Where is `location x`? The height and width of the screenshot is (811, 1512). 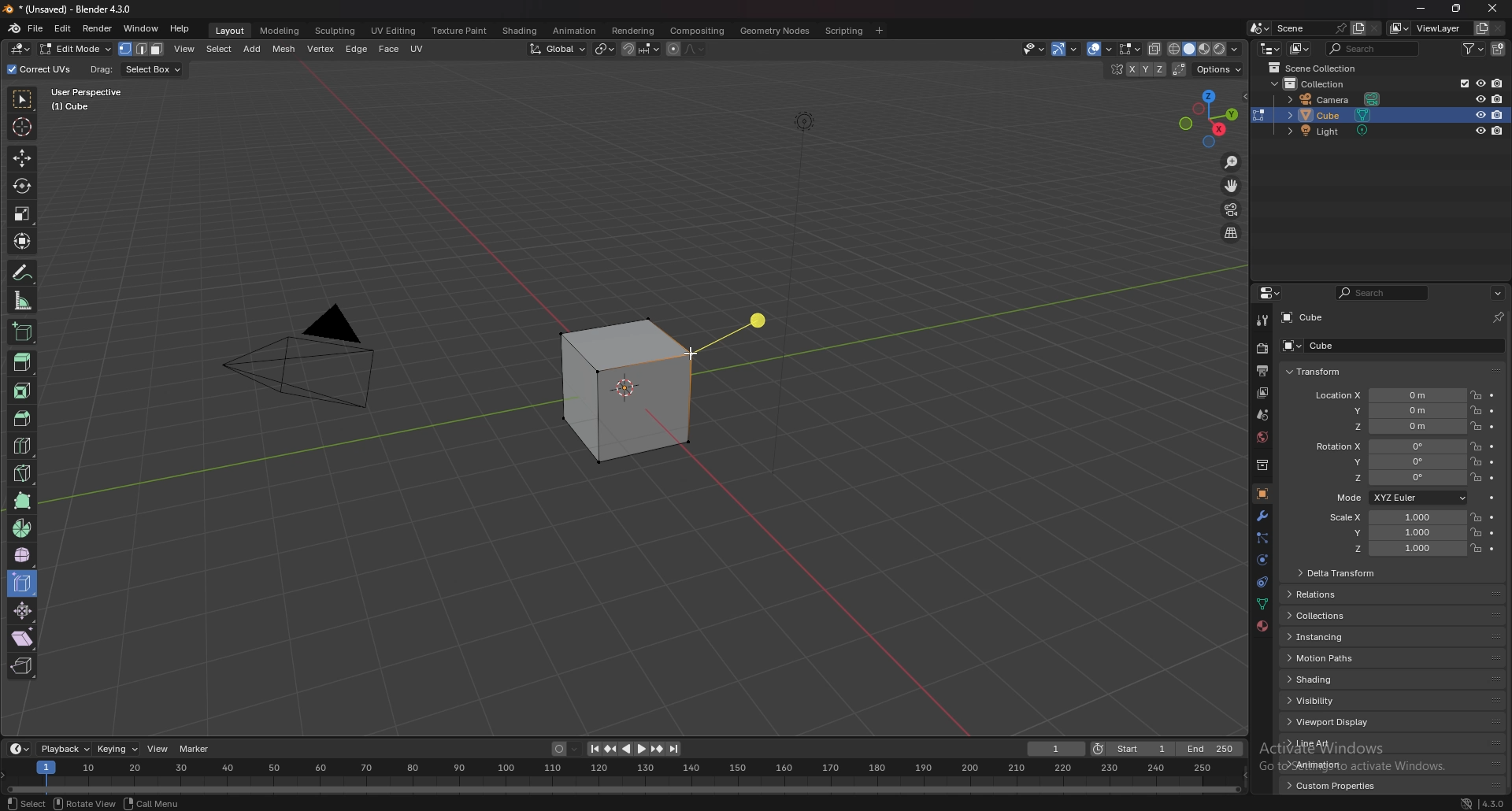 location x is located at coordinates (1385, 395).